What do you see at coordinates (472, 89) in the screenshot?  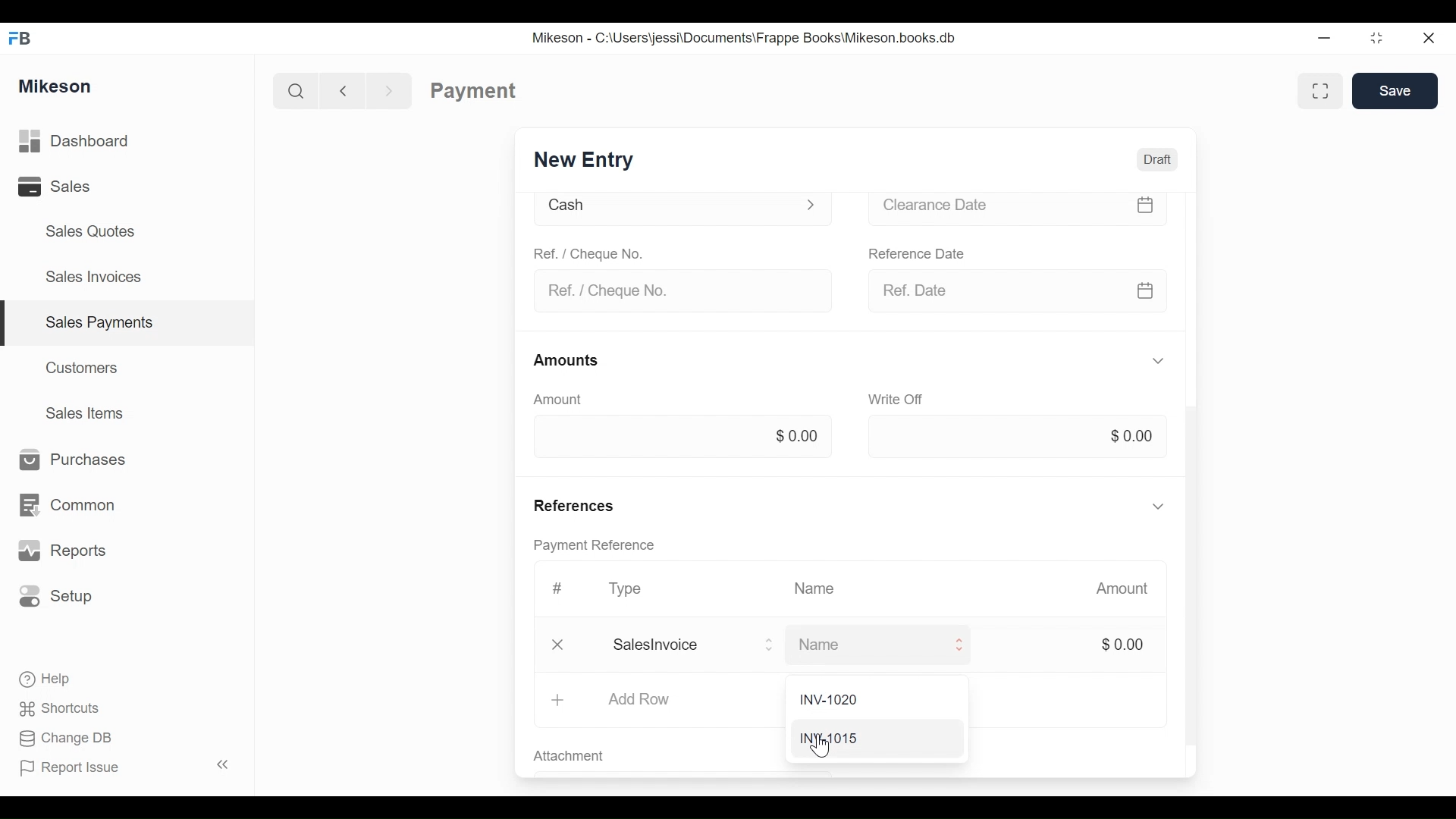 I see `Payment` at bounding box center [472, 89].